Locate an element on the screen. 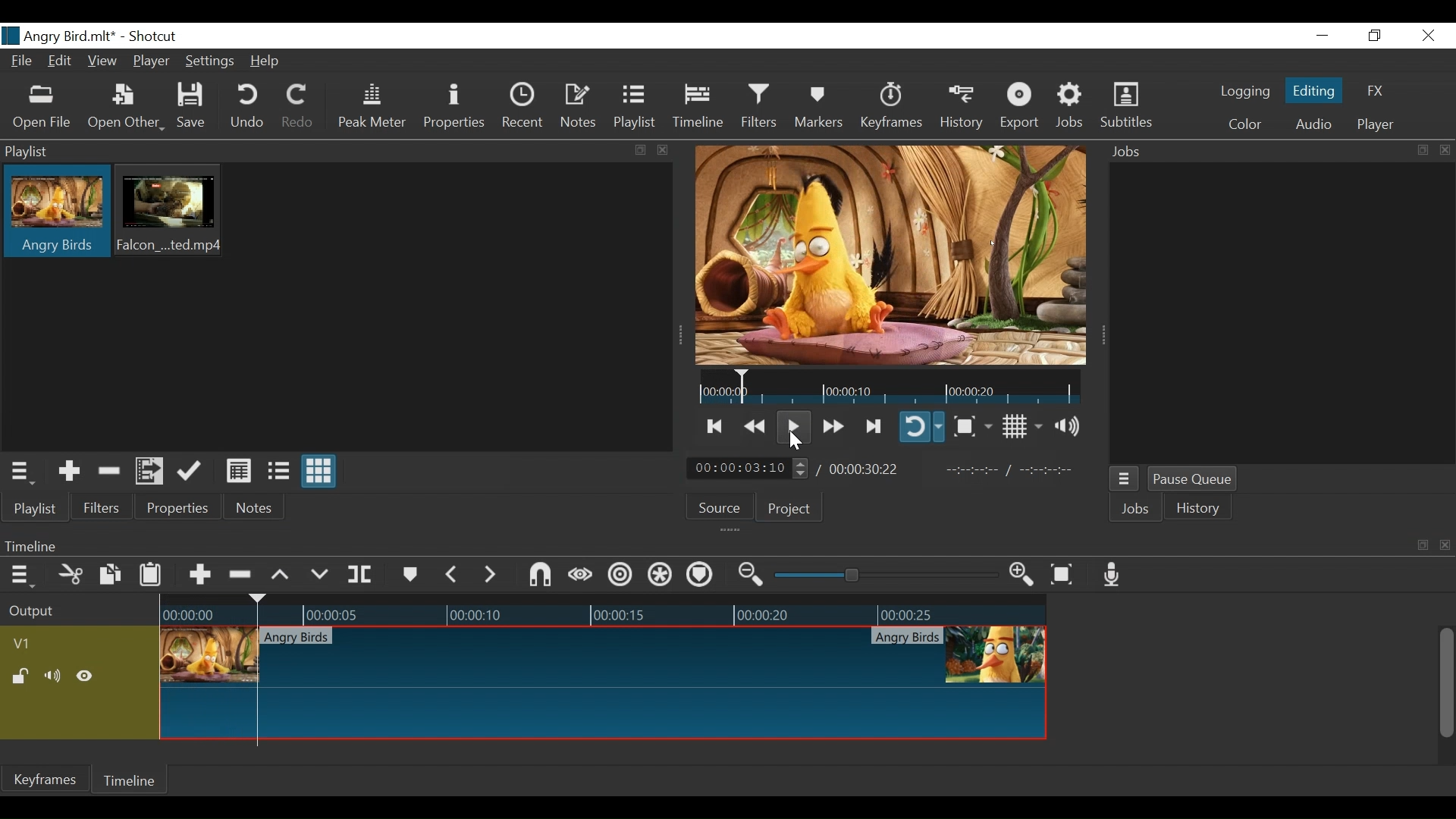 The height and width of the screenshot is (819, 1456). File Name is located at coordinates (60, 36).